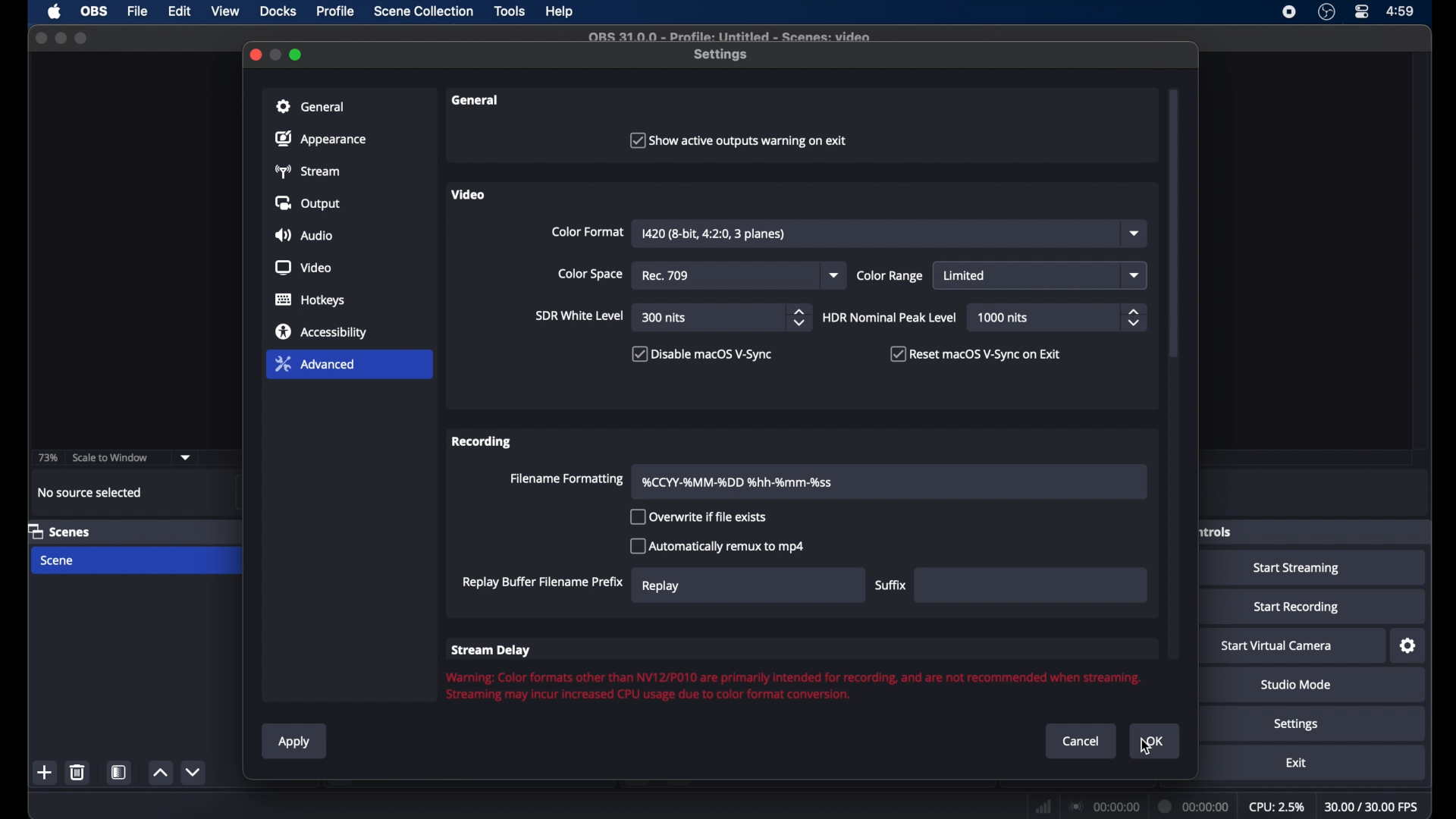 This screenshot has width=1456, height=819. I want to click on replay buffer filename prefix, so click(541, 582).